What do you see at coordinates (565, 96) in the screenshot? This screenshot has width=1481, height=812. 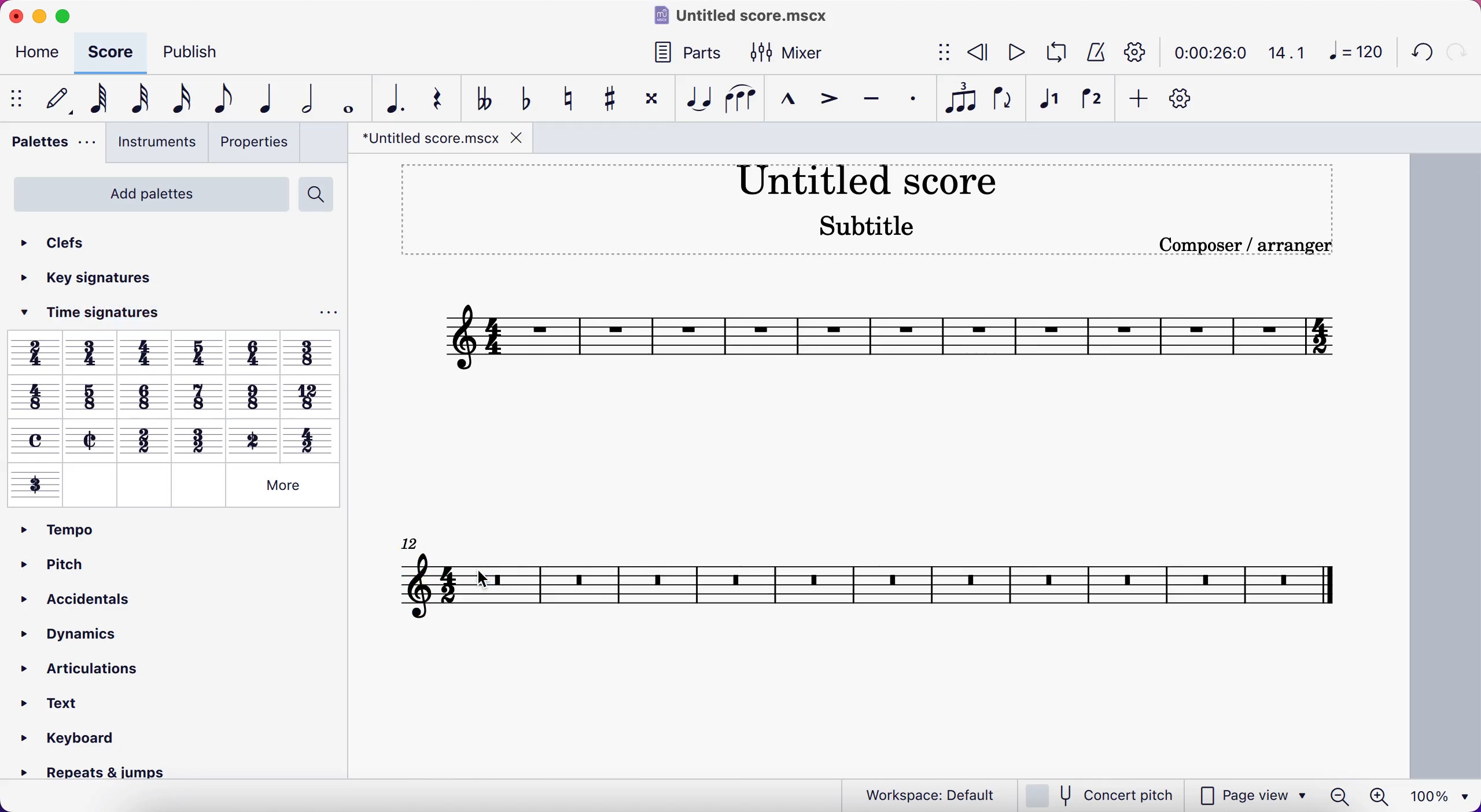 I see `toggle natural` at bounding box center [565, 96].